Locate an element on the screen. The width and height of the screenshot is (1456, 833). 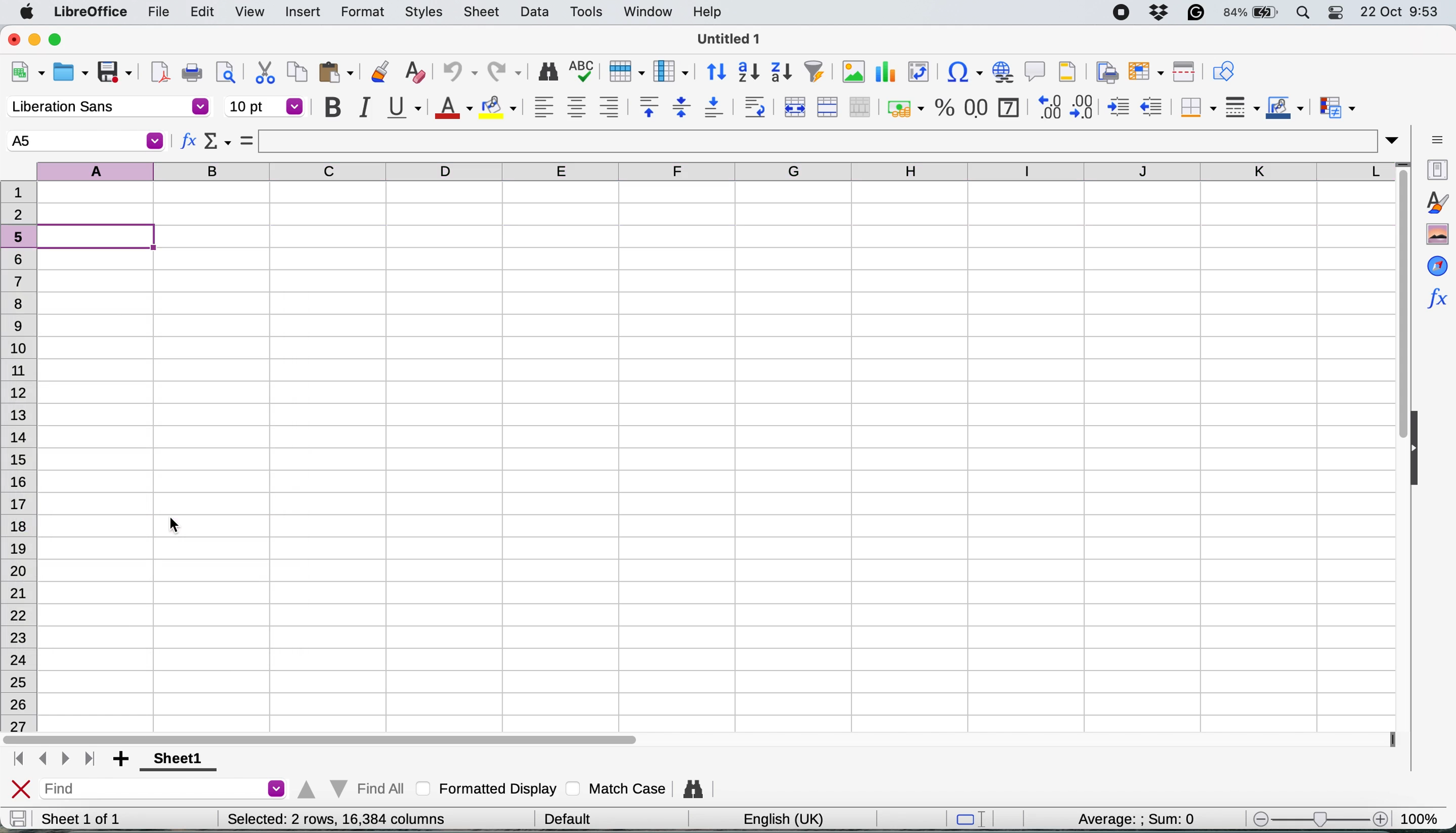
styles is located at coordinates (424, 13).